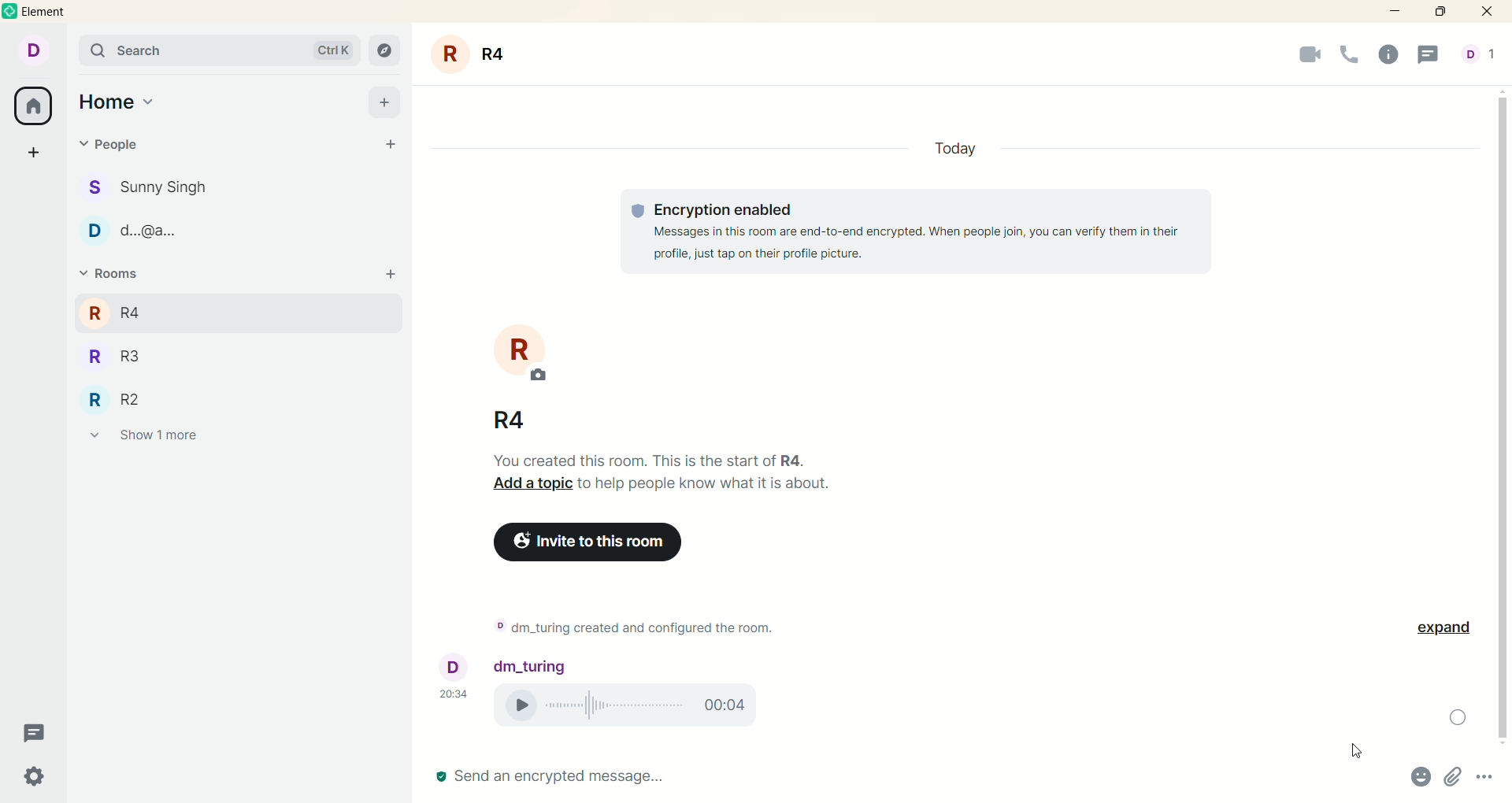 The height and width of the screenshot is (803, 1512). I want to click on R2, so click(133, 398).